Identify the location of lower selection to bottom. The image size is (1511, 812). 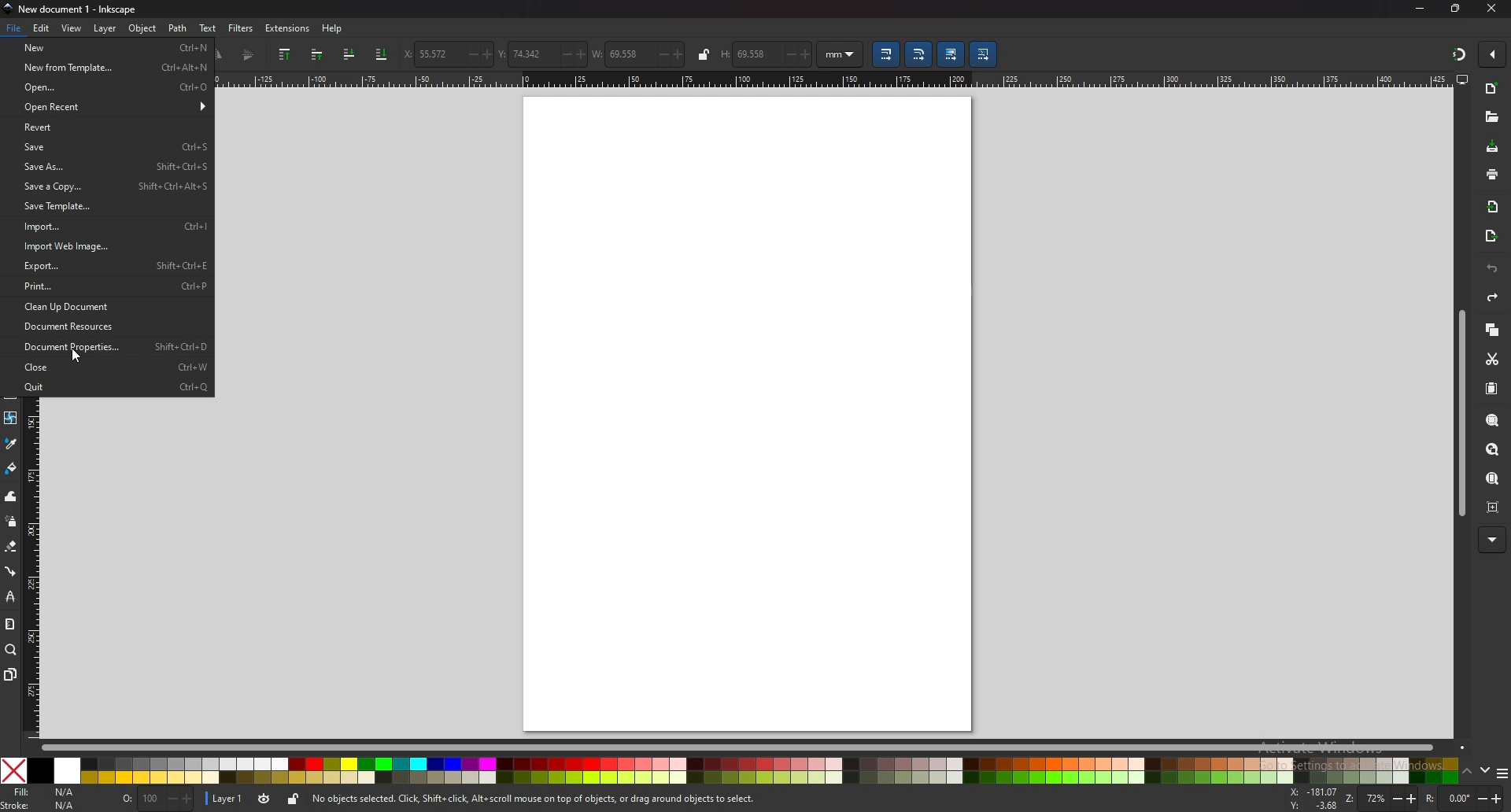
(949, 55).